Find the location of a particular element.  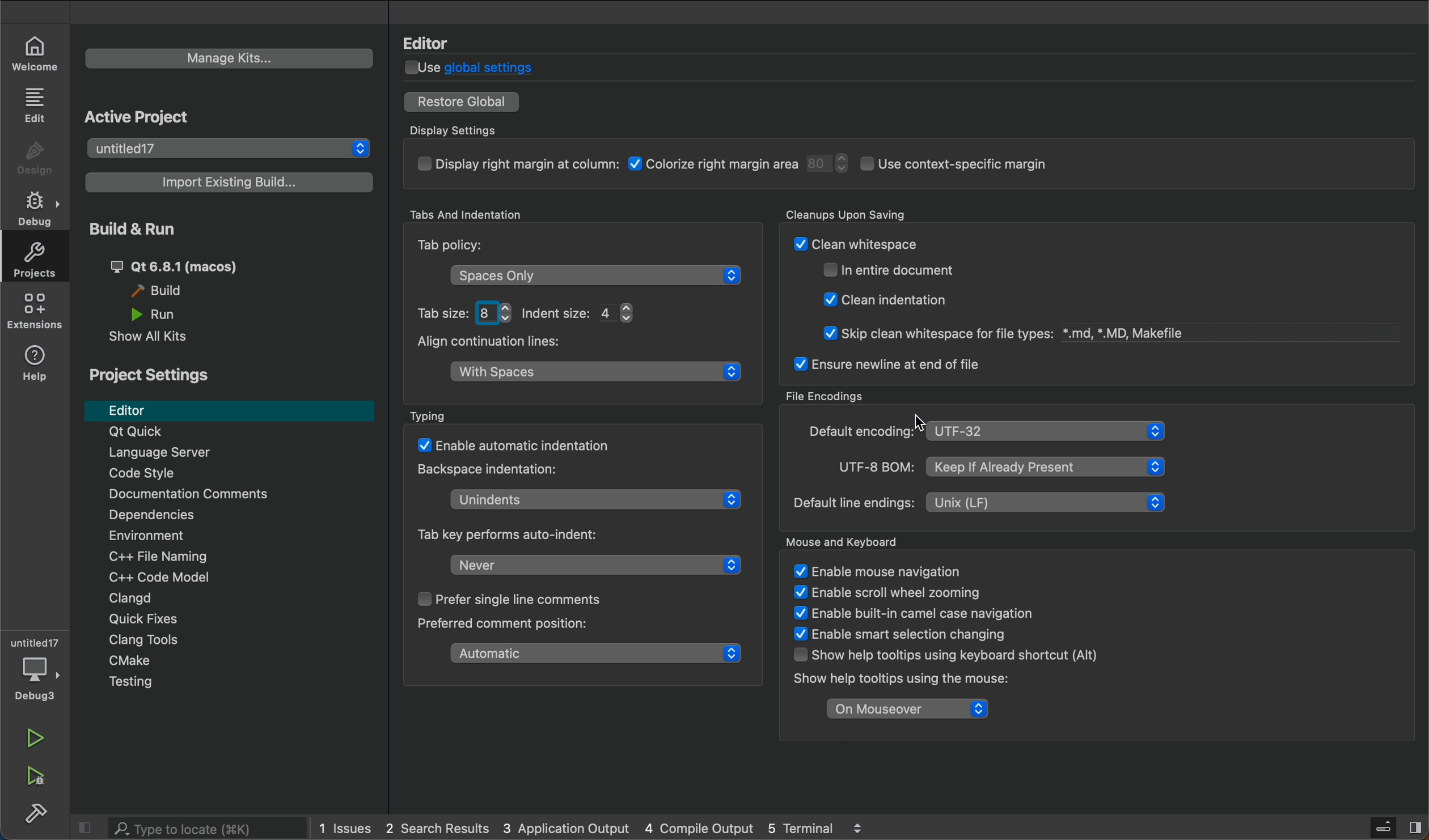

Align continuation lines: is located at coordinates (503, 342).